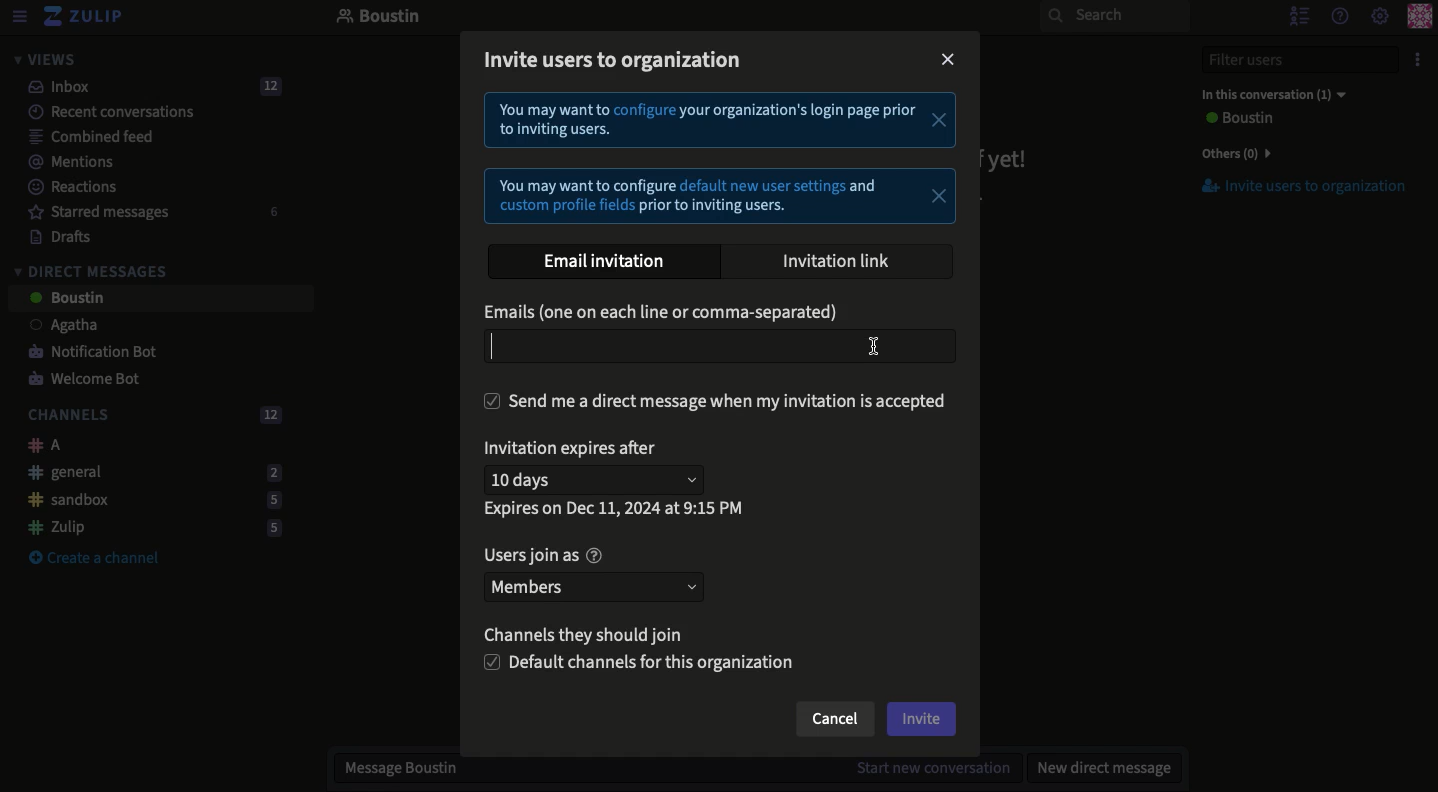 This screenshot has height=792, width=1438. I want to click on Inbox, so click(146, 87).